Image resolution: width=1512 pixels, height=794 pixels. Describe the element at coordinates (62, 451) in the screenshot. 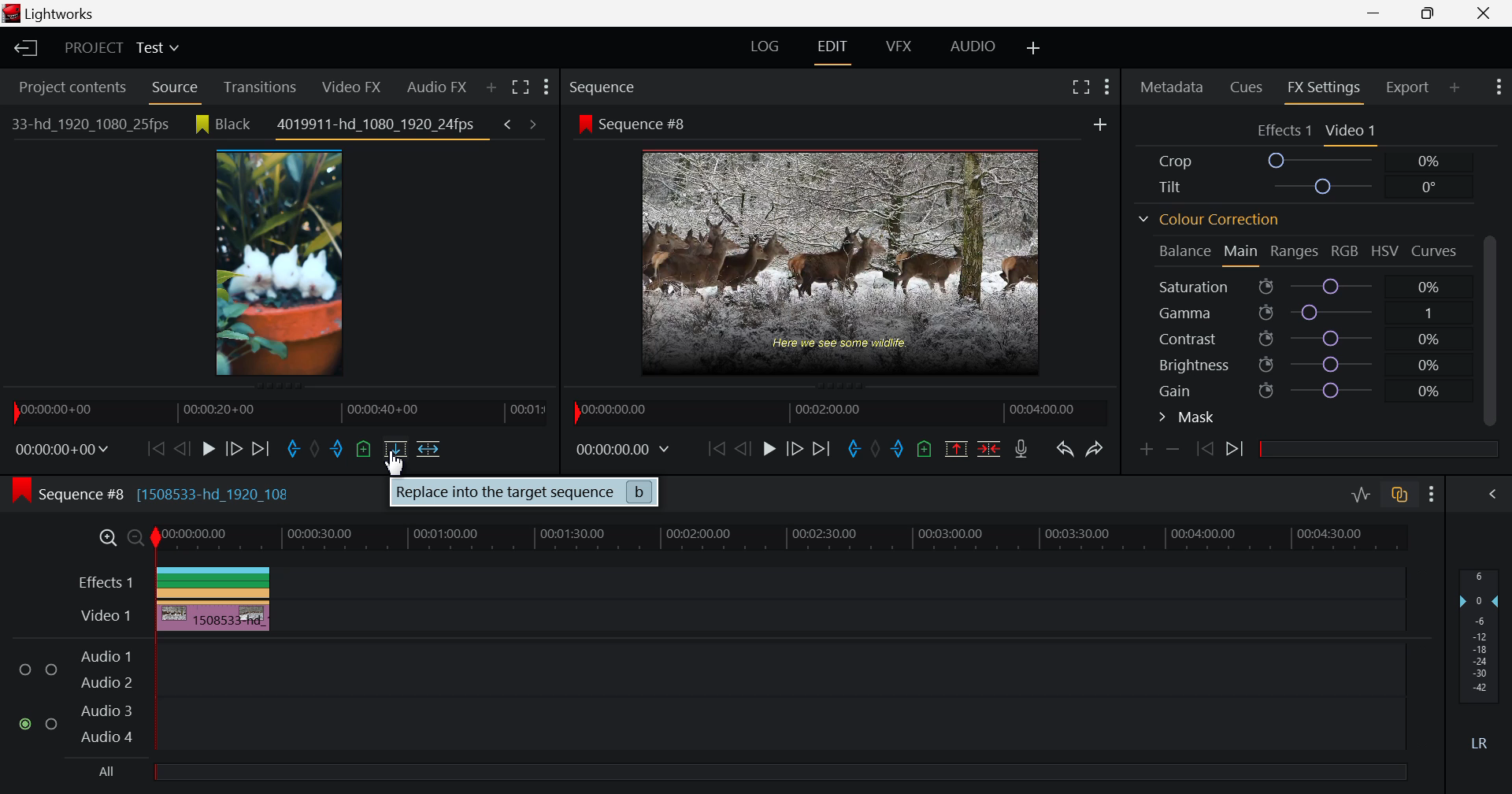

I see `Frame Time` at that location.